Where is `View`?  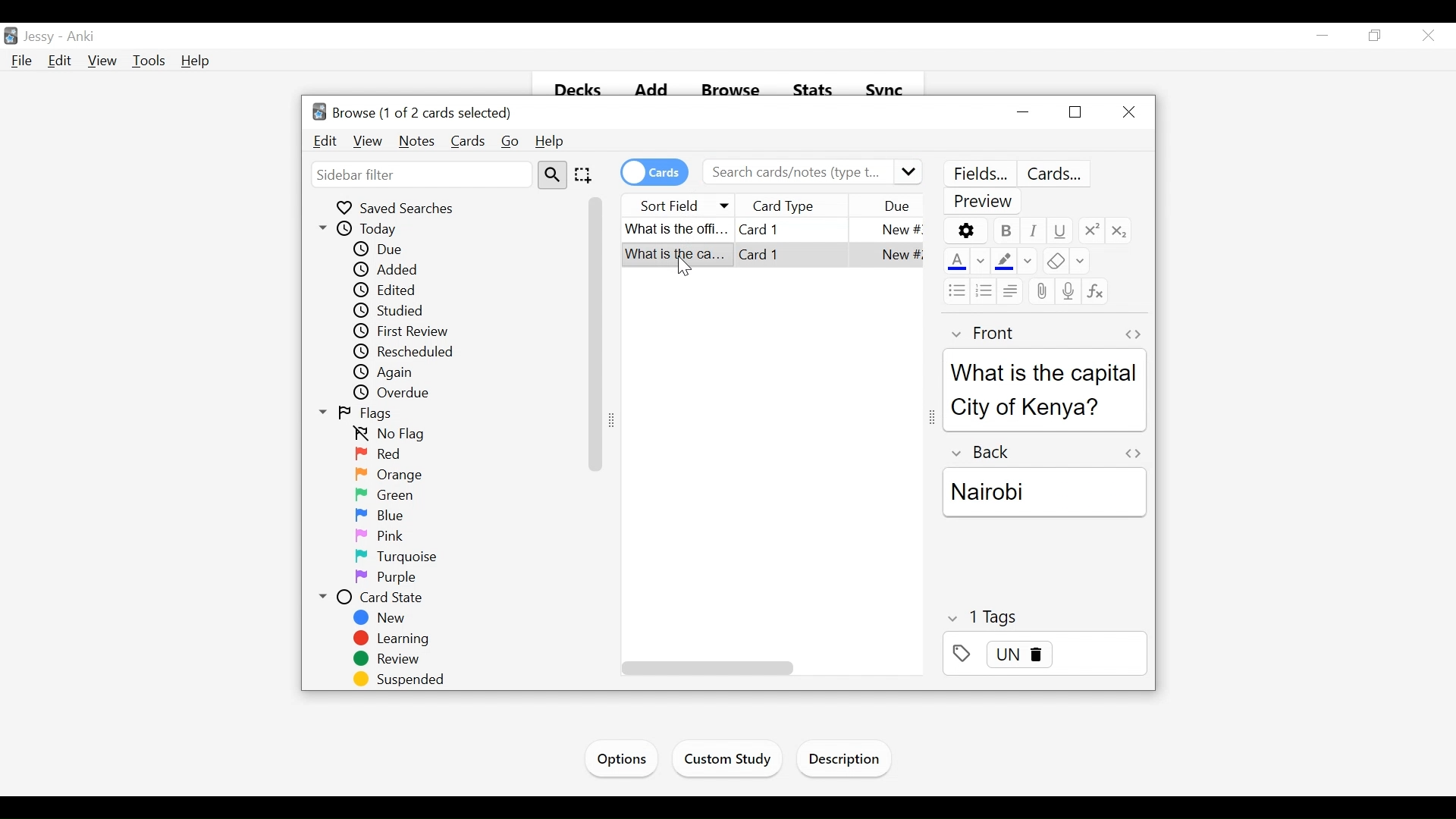
View is located at coordinates (367, 141).